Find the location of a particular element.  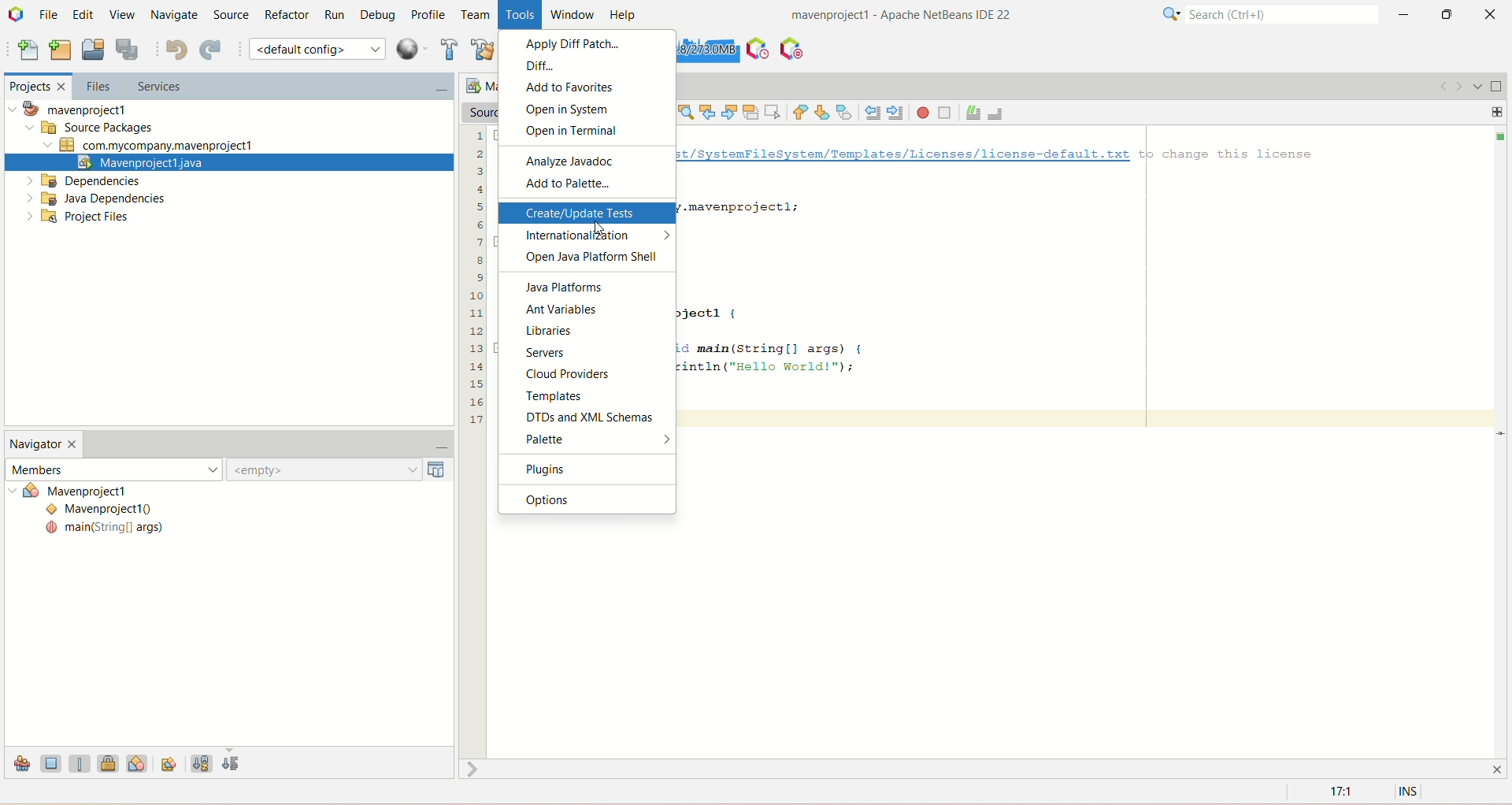

source package is located at coordinates (86, 128).